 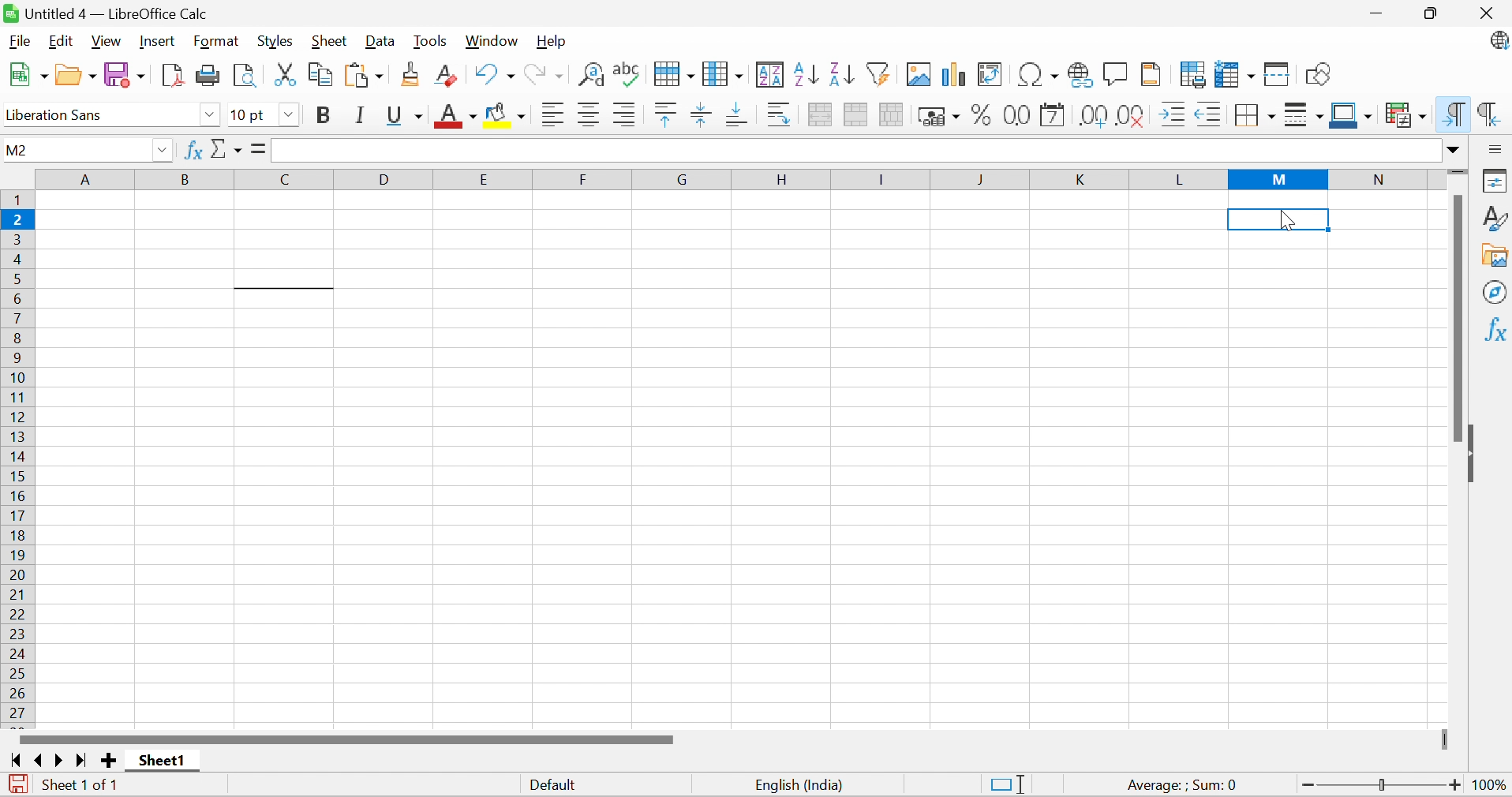 I want to click on Cone formatting, so click(x=412, y=75).